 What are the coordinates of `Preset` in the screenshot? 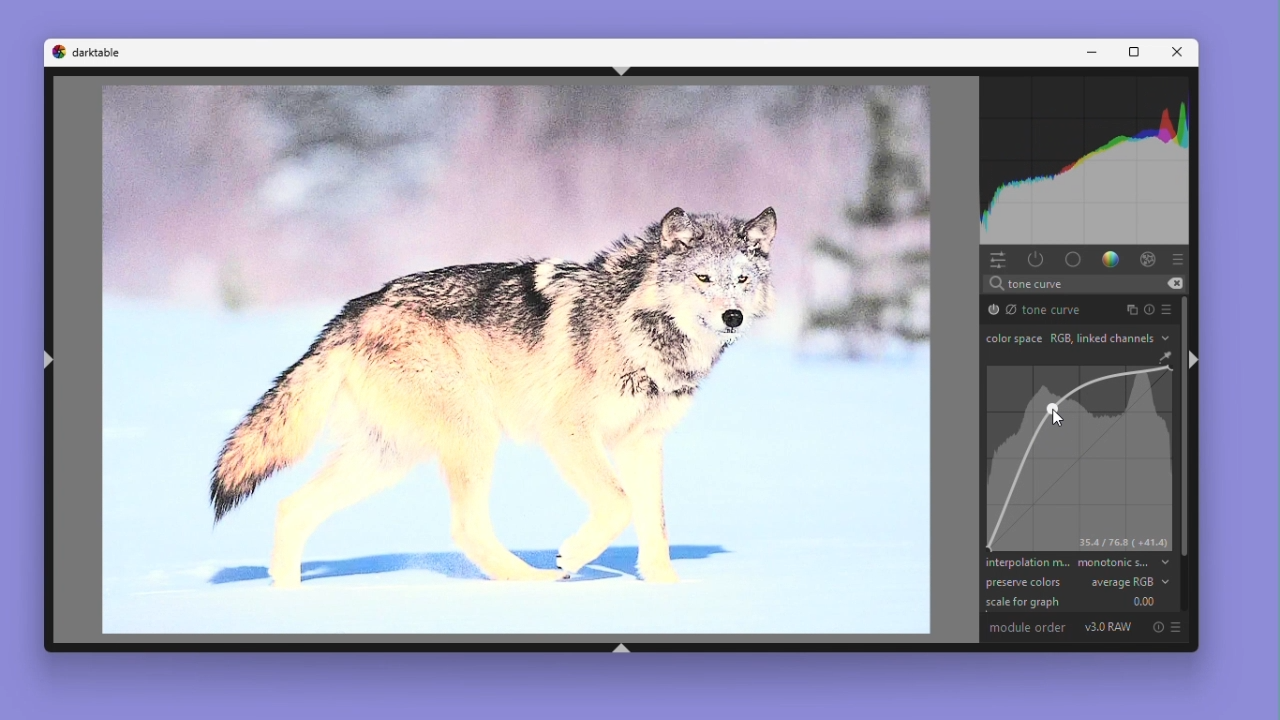 It's located at (1178, 260).